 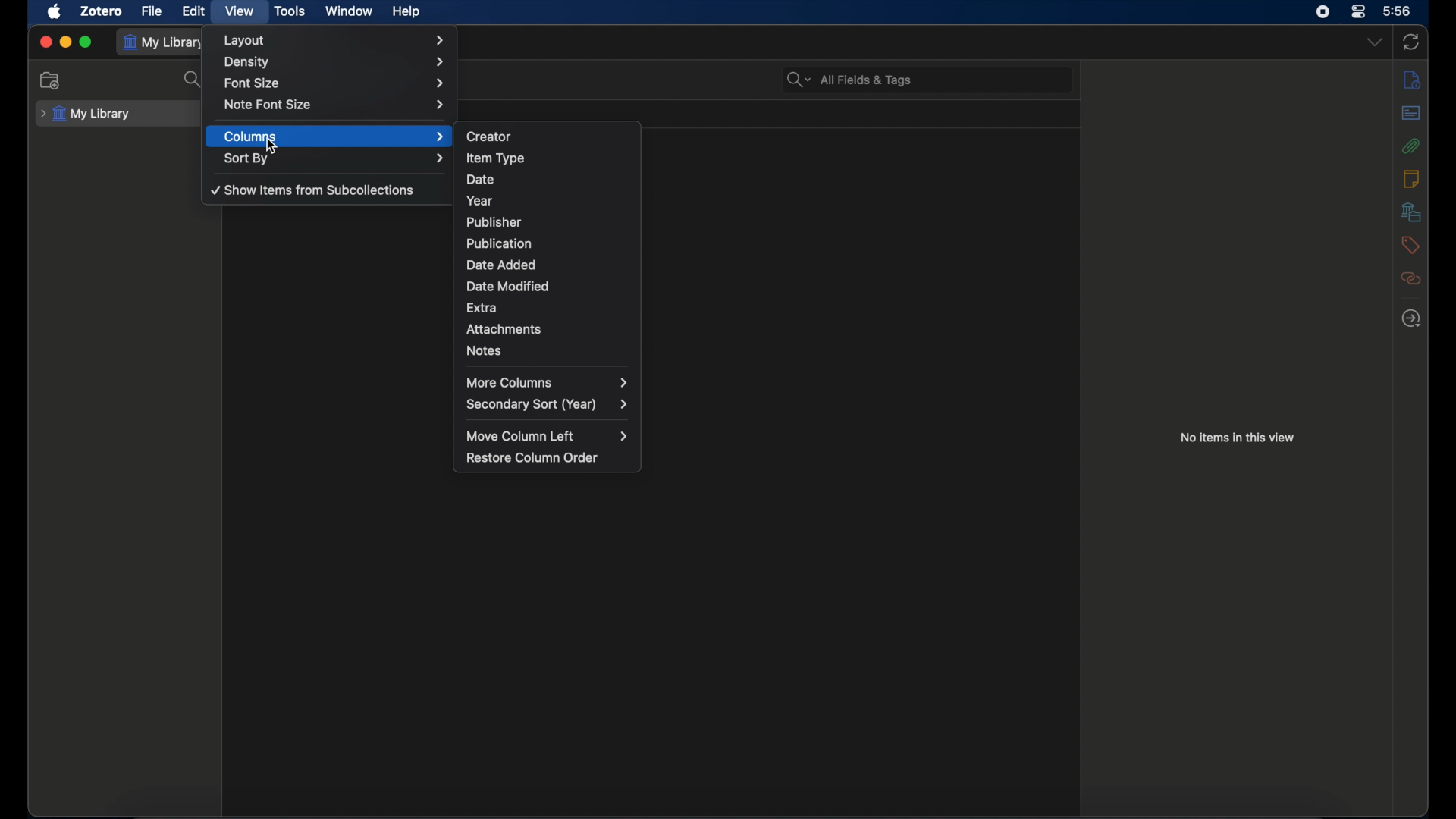 What do you see at coordinates (550, 133) in the screenshot?
I see `creator` at bounding box center [550, 133].